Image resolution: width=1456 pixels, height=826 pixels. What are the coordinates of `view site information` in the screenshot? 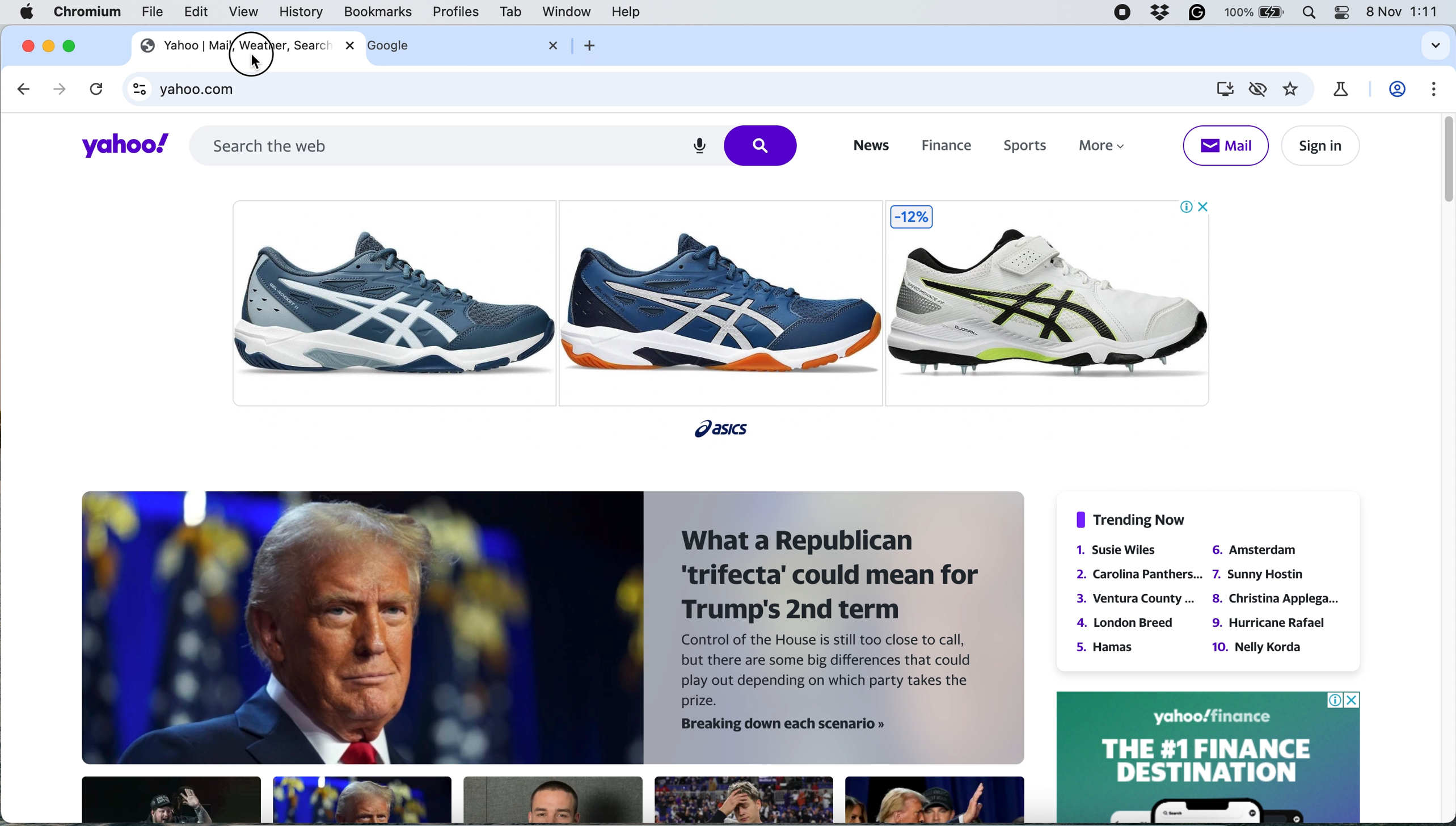 It's located at (141, 92).